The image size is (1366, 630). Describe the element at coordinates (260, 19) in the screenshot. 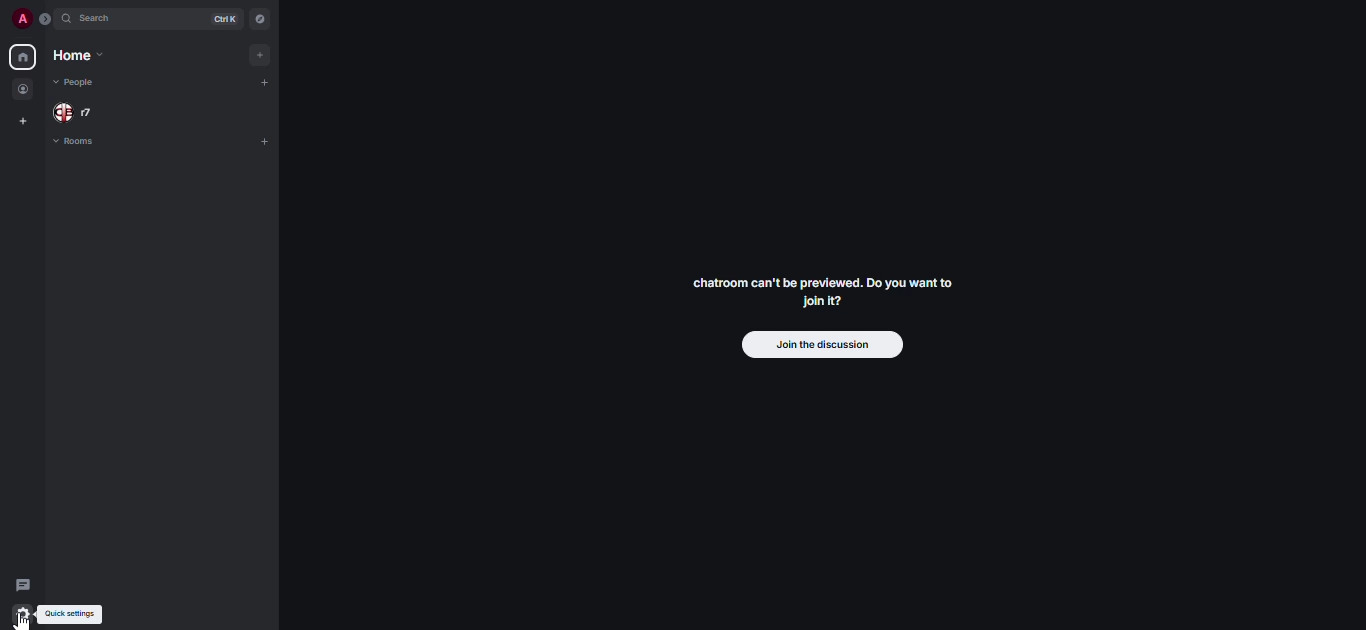

I see `navigator` at that location.